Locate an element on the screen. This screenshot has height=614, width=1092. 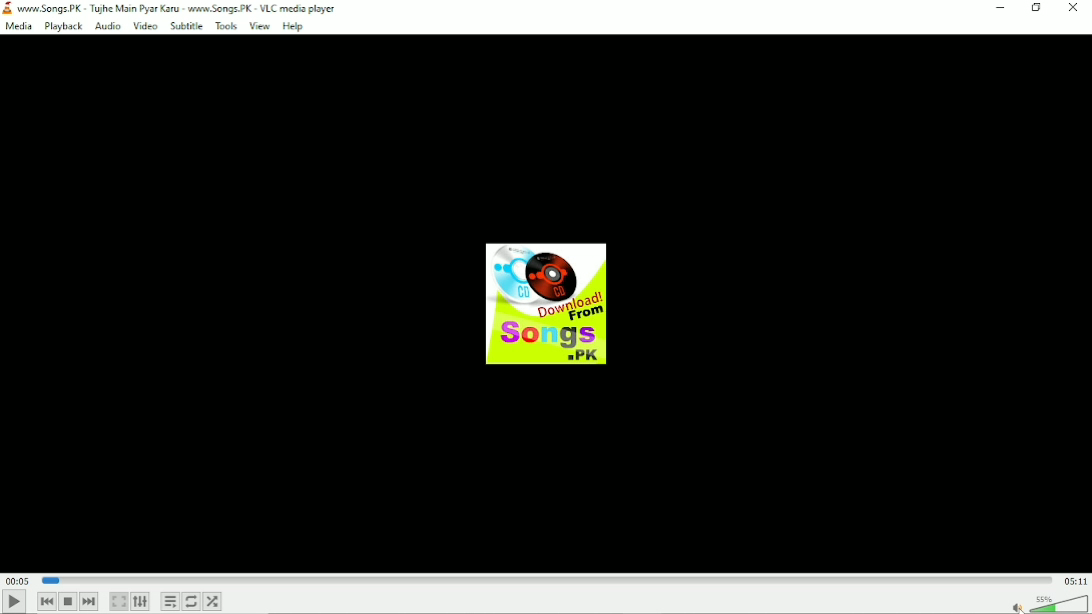
Total duration is located at coordinates (1074, 580).